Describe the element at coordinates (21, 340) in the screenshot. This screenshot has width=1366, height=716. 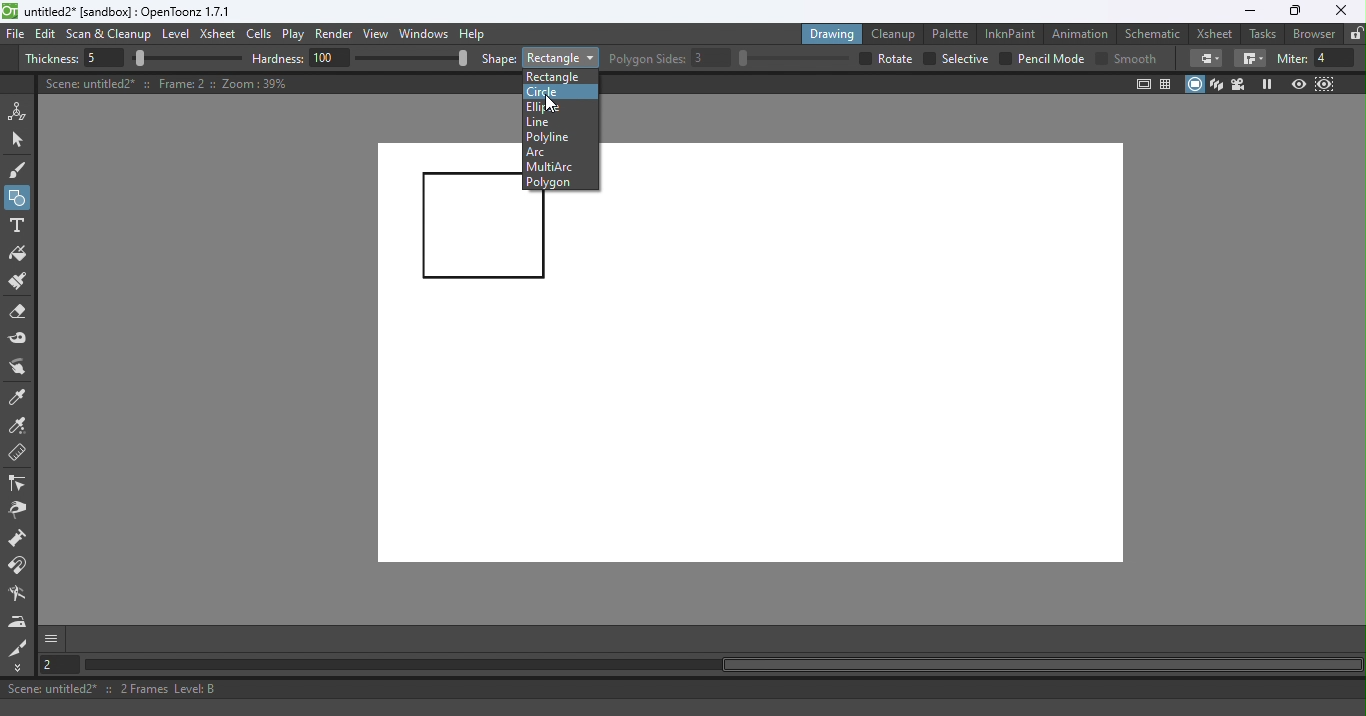
I see `Tape tool` at that location.